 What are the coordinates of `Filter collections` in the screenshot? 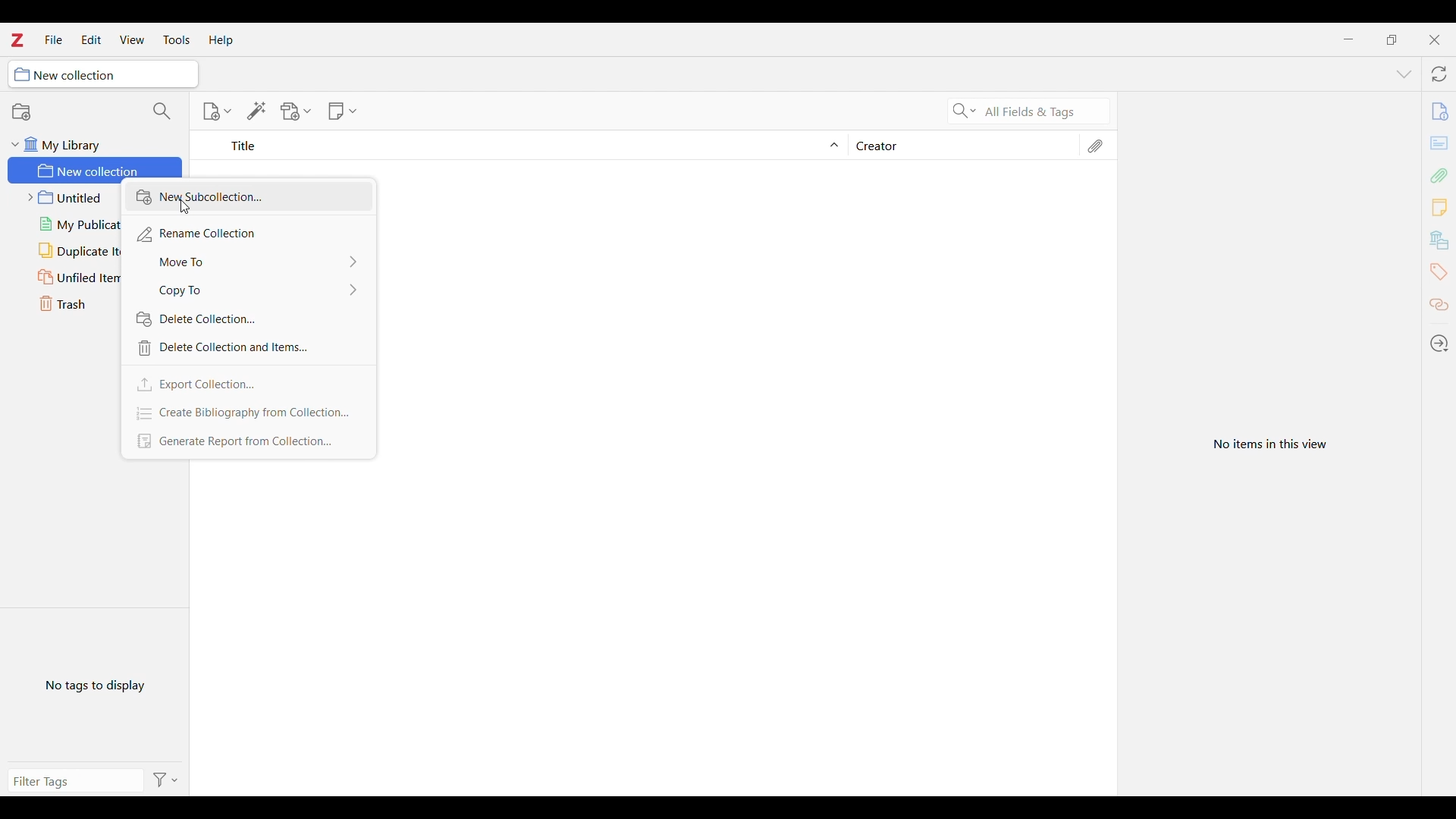 It's located at (163, 111).